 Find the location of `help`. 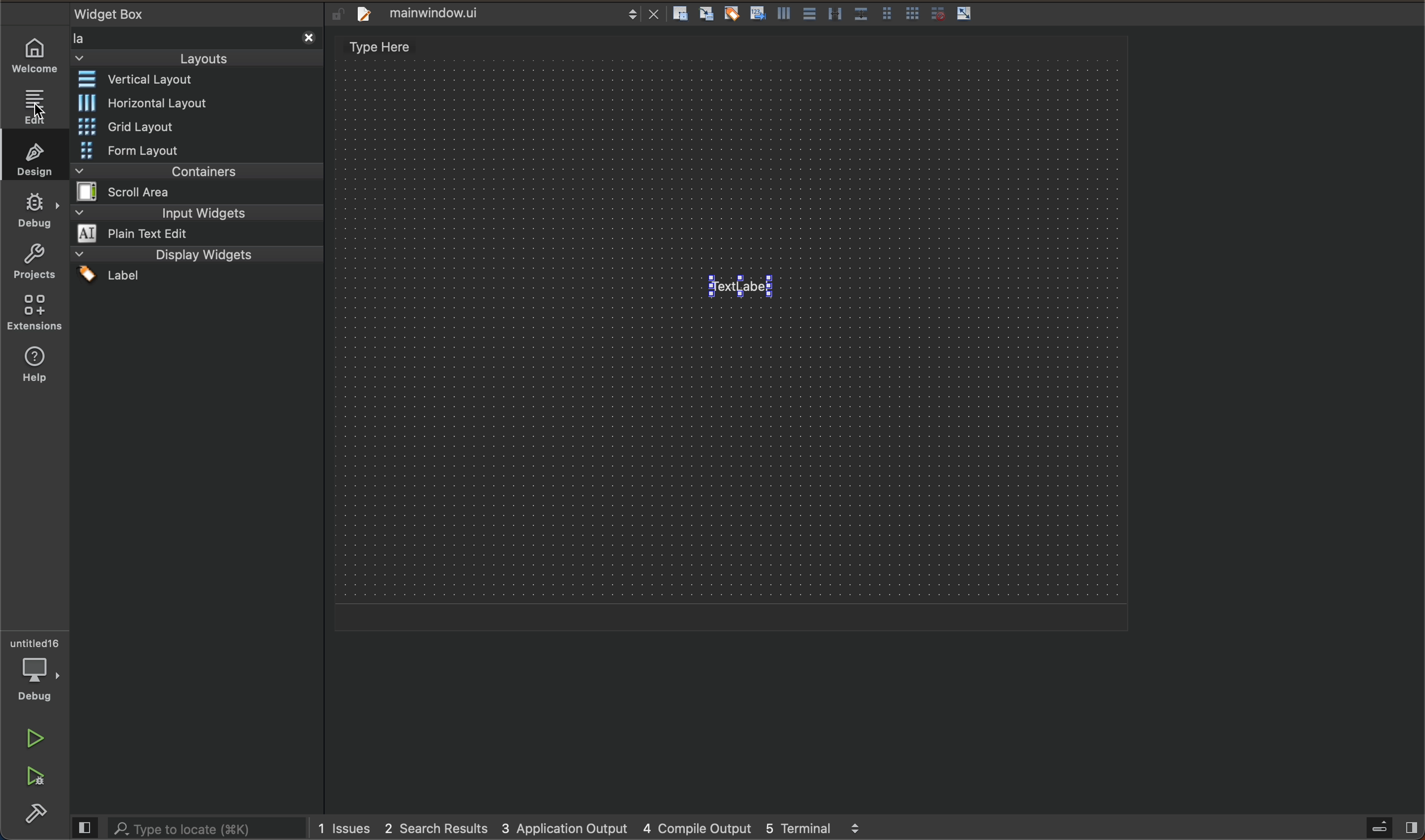

help is located at coordinates (37, 364).